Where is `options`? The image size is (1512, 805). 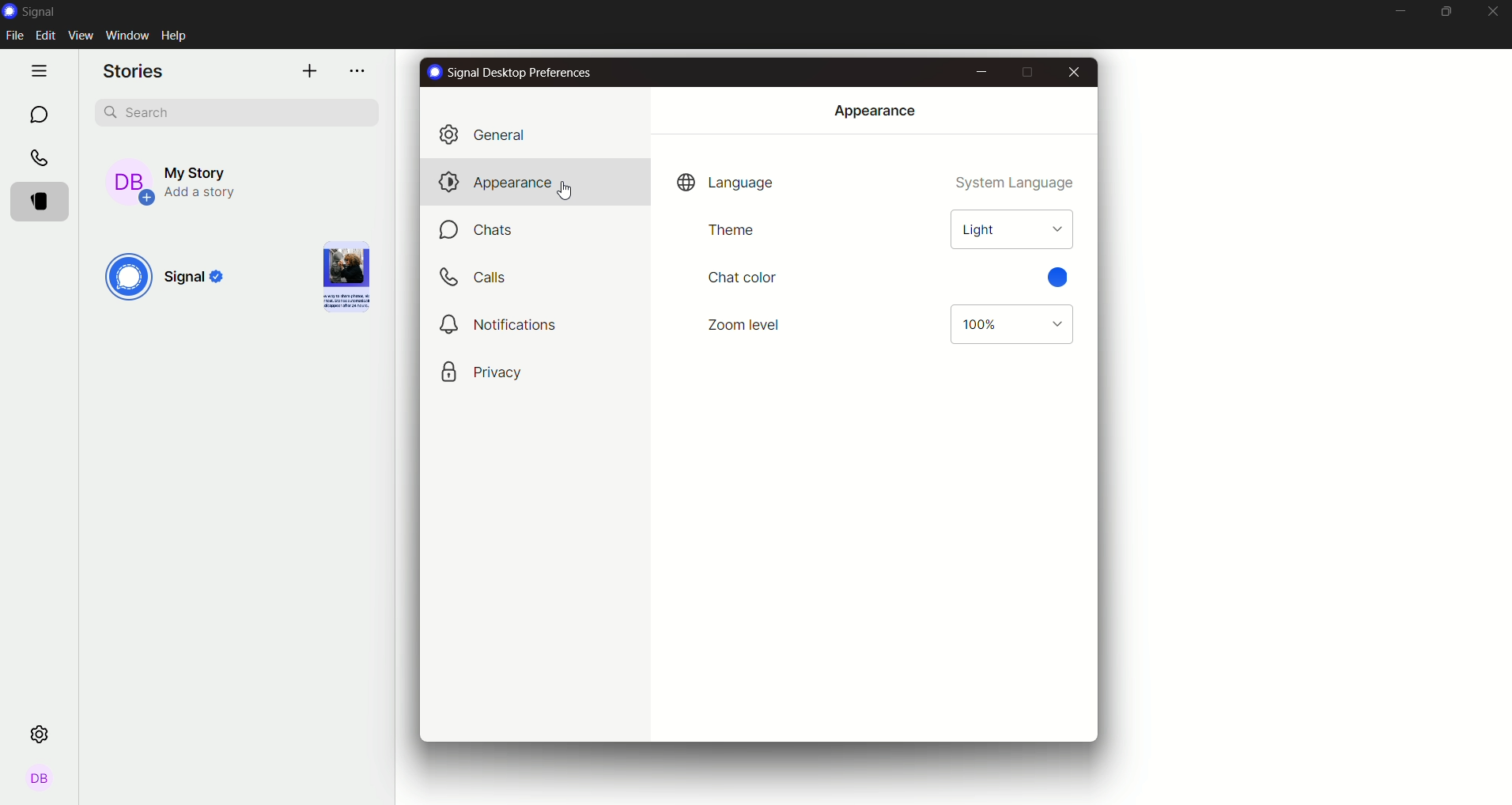 options is located at coordinates (360, 72).